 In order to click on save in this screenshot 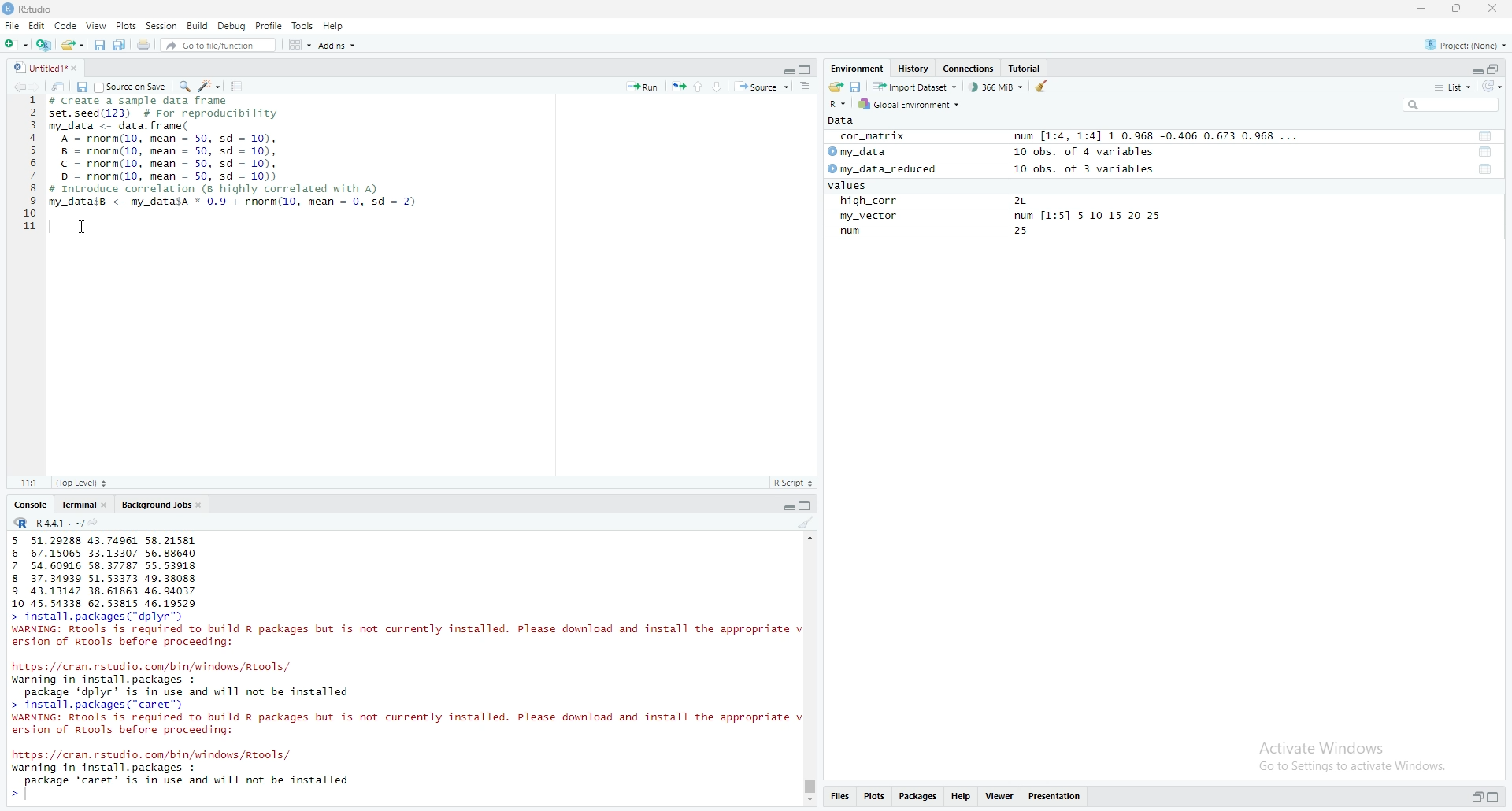, I will do `click(80, 87)`.